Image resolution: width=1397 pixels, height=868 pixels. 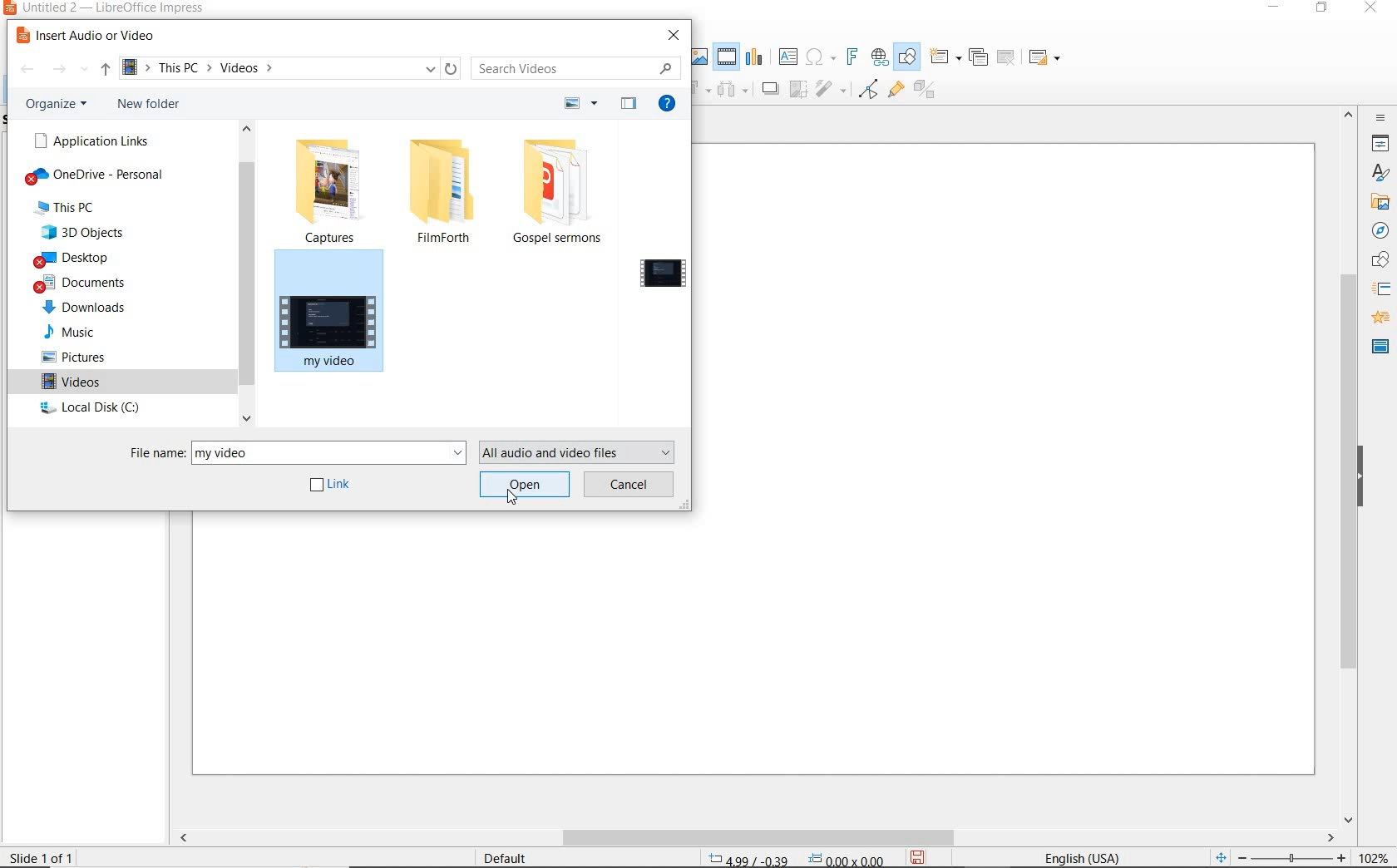 What do you see at coordinates (1380, 205) in the screenshot?
I see `gallery` at bounding box center [1380, 205].